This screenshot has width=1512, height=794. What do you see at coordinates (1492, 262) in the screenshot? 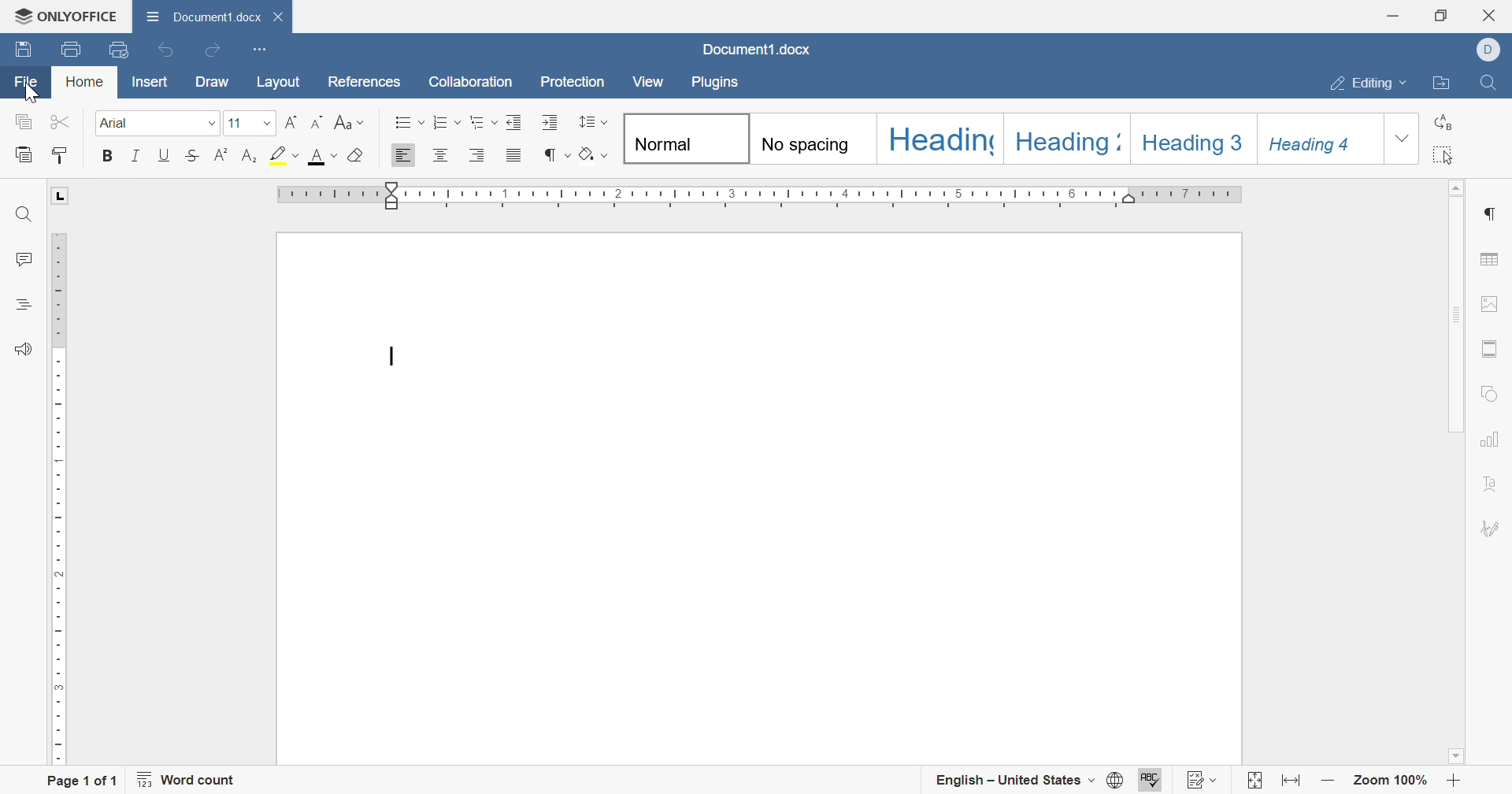
I see `table settings` at bounding box center [1492, 262].